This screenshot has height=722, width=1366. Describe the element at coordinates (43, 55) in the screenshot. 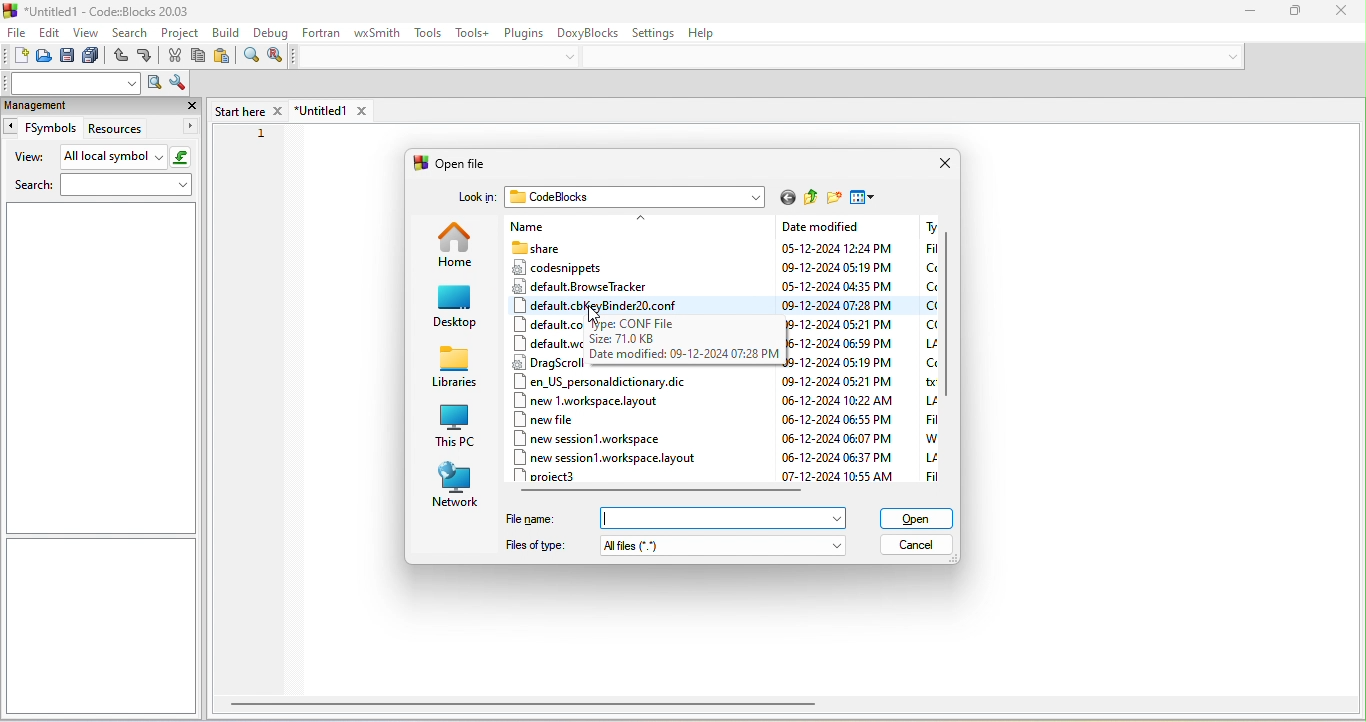

I see `open` at that location.